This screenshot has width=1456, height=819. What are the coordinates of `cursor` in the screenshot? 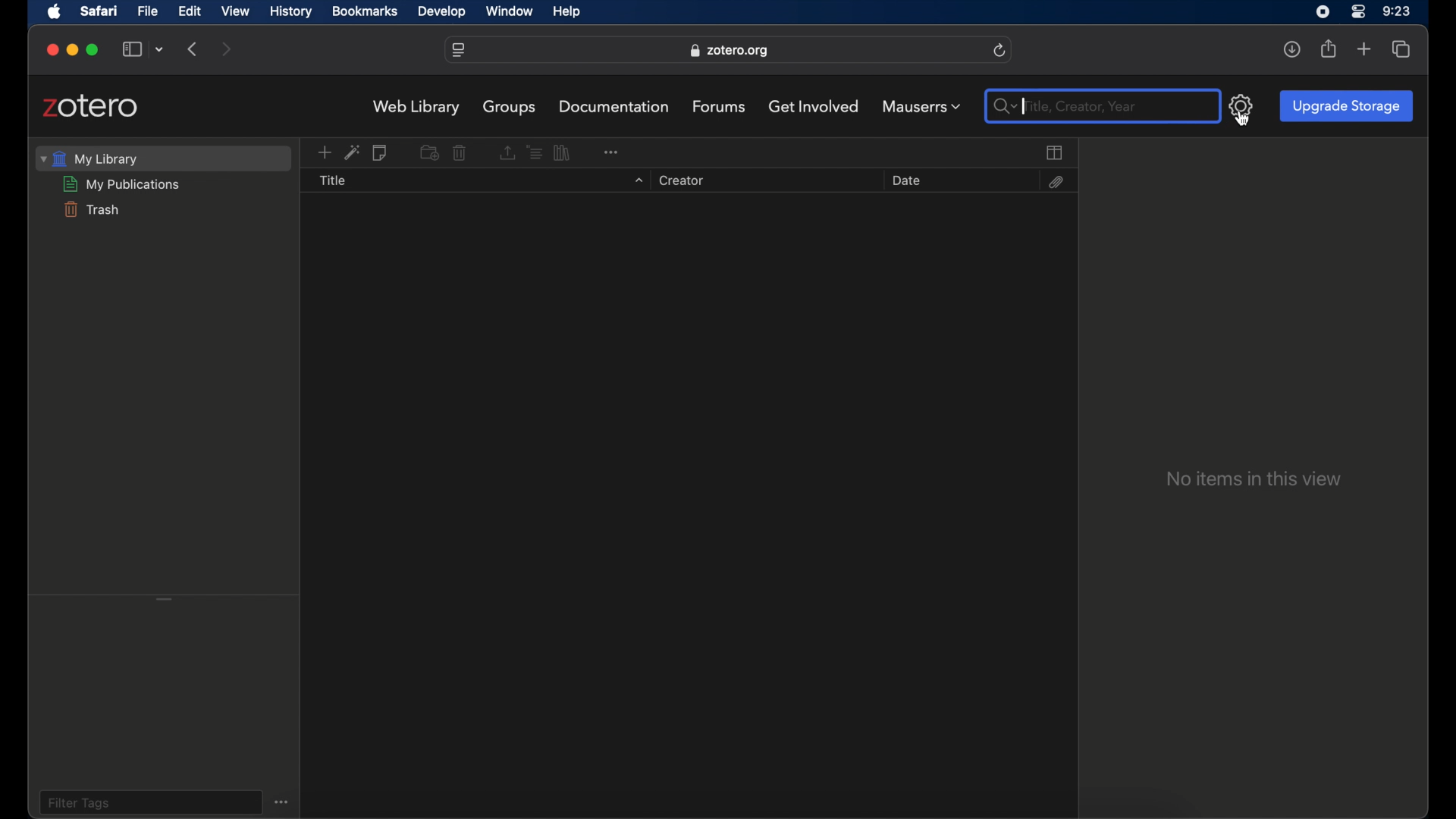 It's located at (1242, 120).